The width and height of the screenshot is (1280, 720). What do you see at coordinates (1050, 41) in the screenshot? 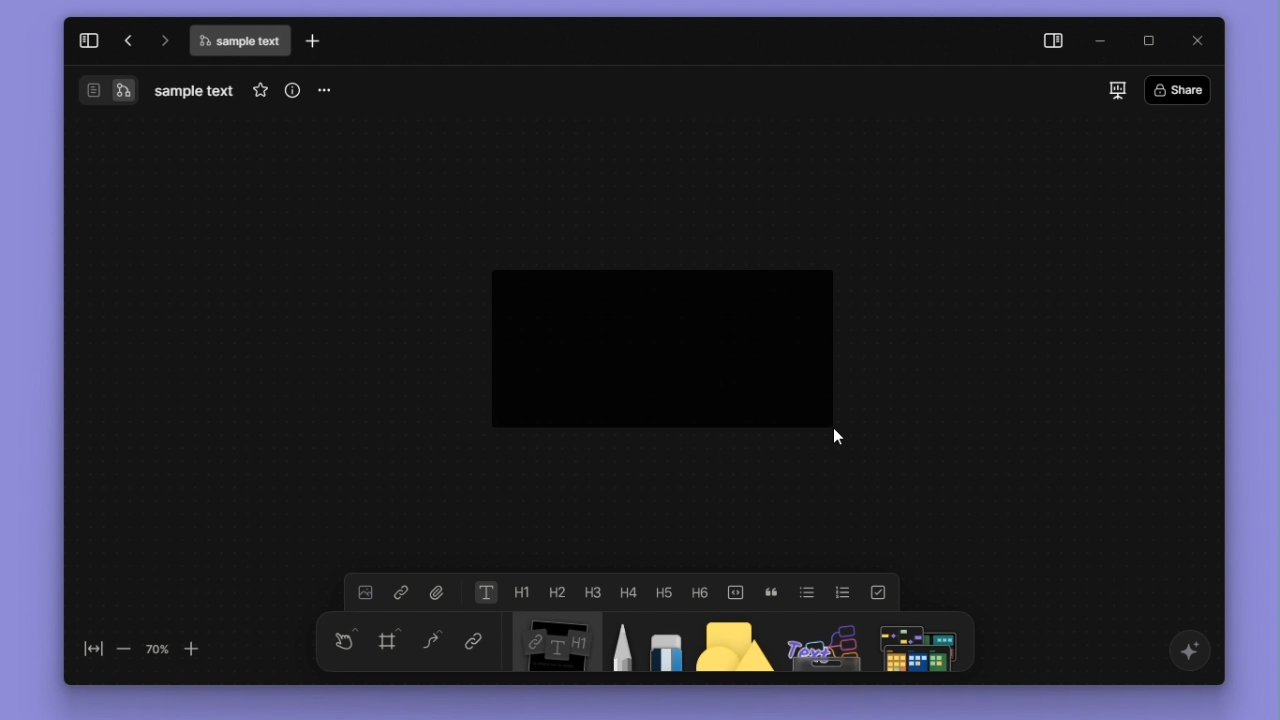
I see `side panel` at bounding box center [1050, 41].